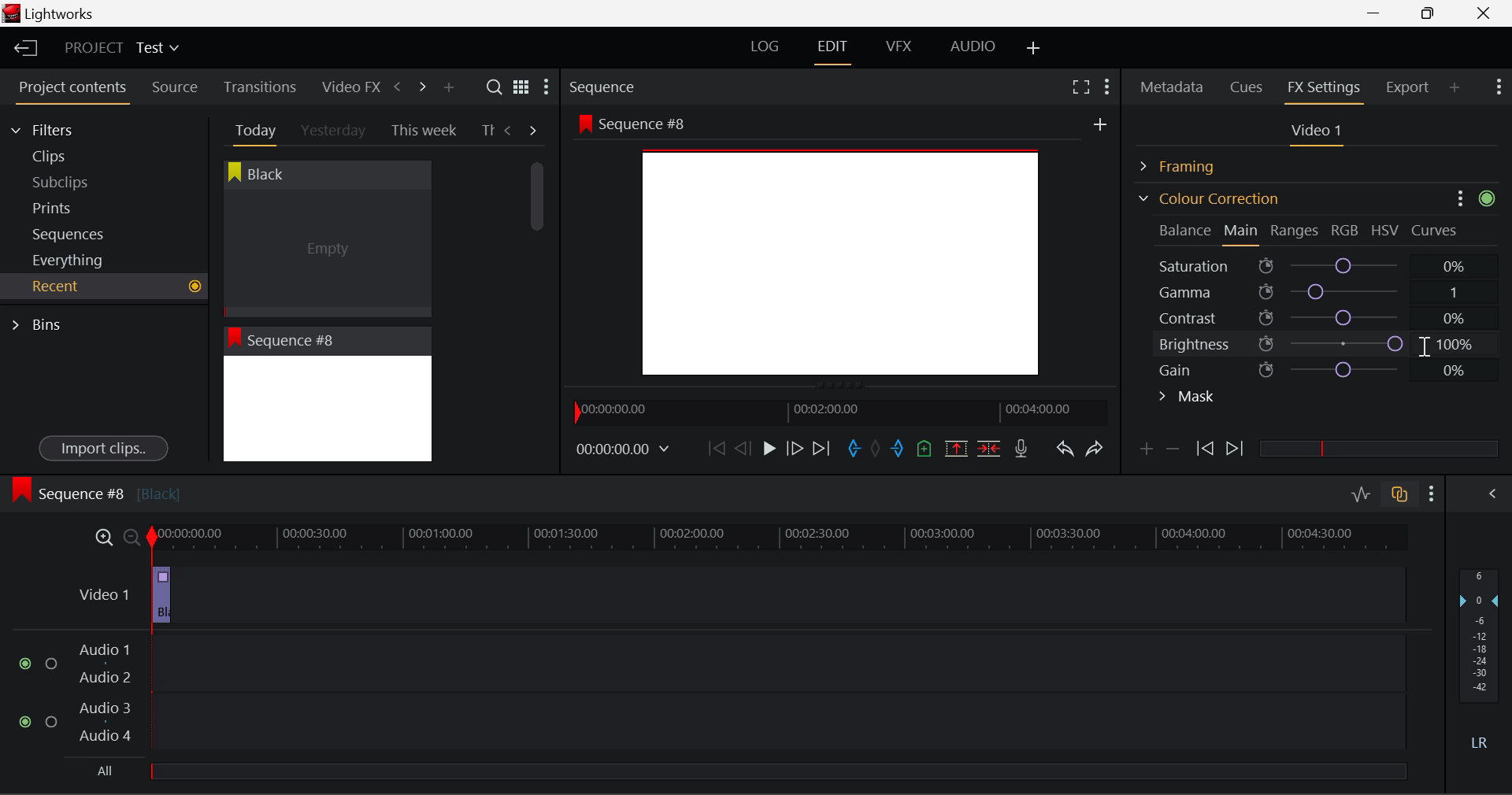  I want to click on Clip 2 Deleted, so click(728, 596).